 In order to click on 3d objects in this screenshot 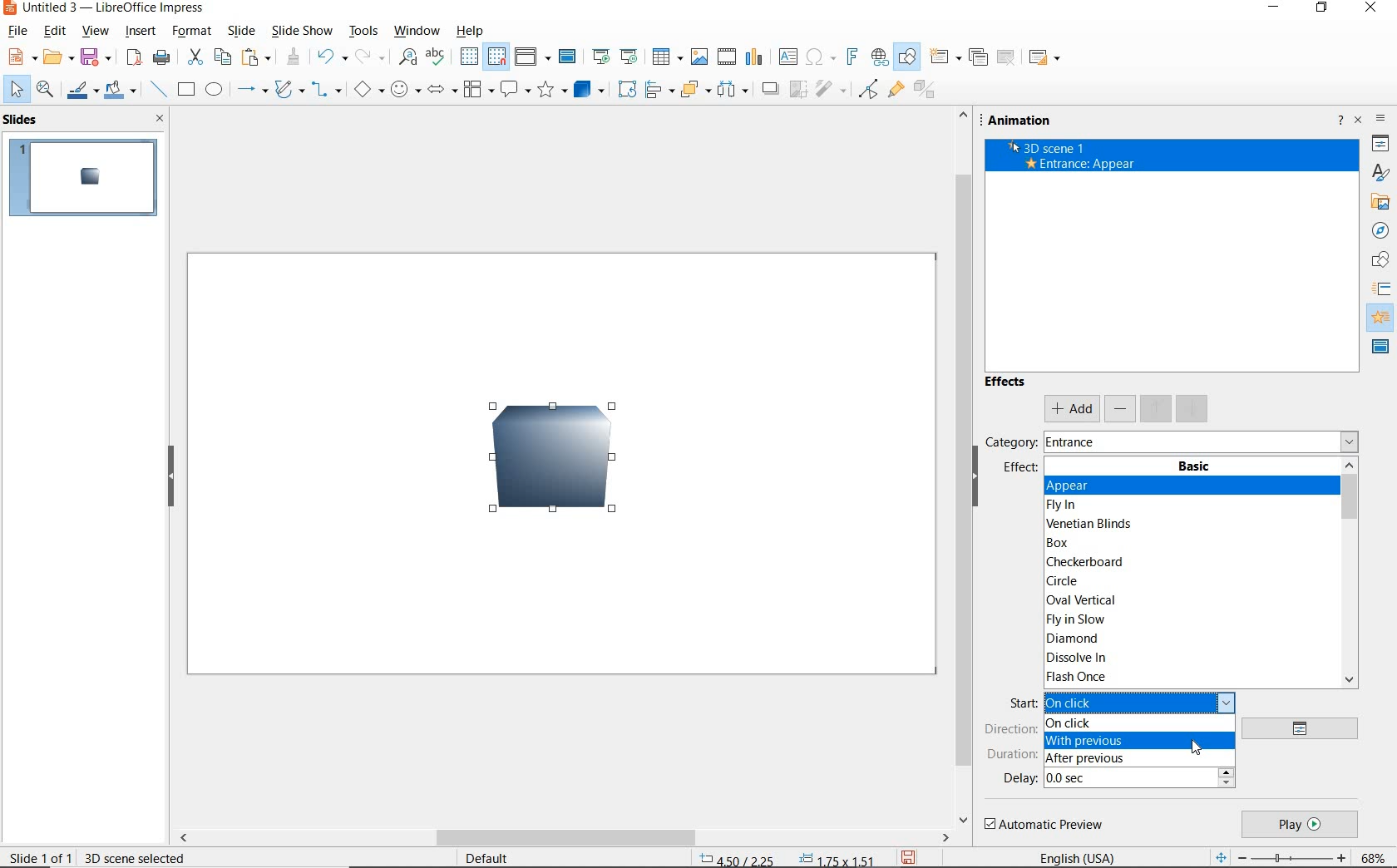, I will do `click(589, 90)`.